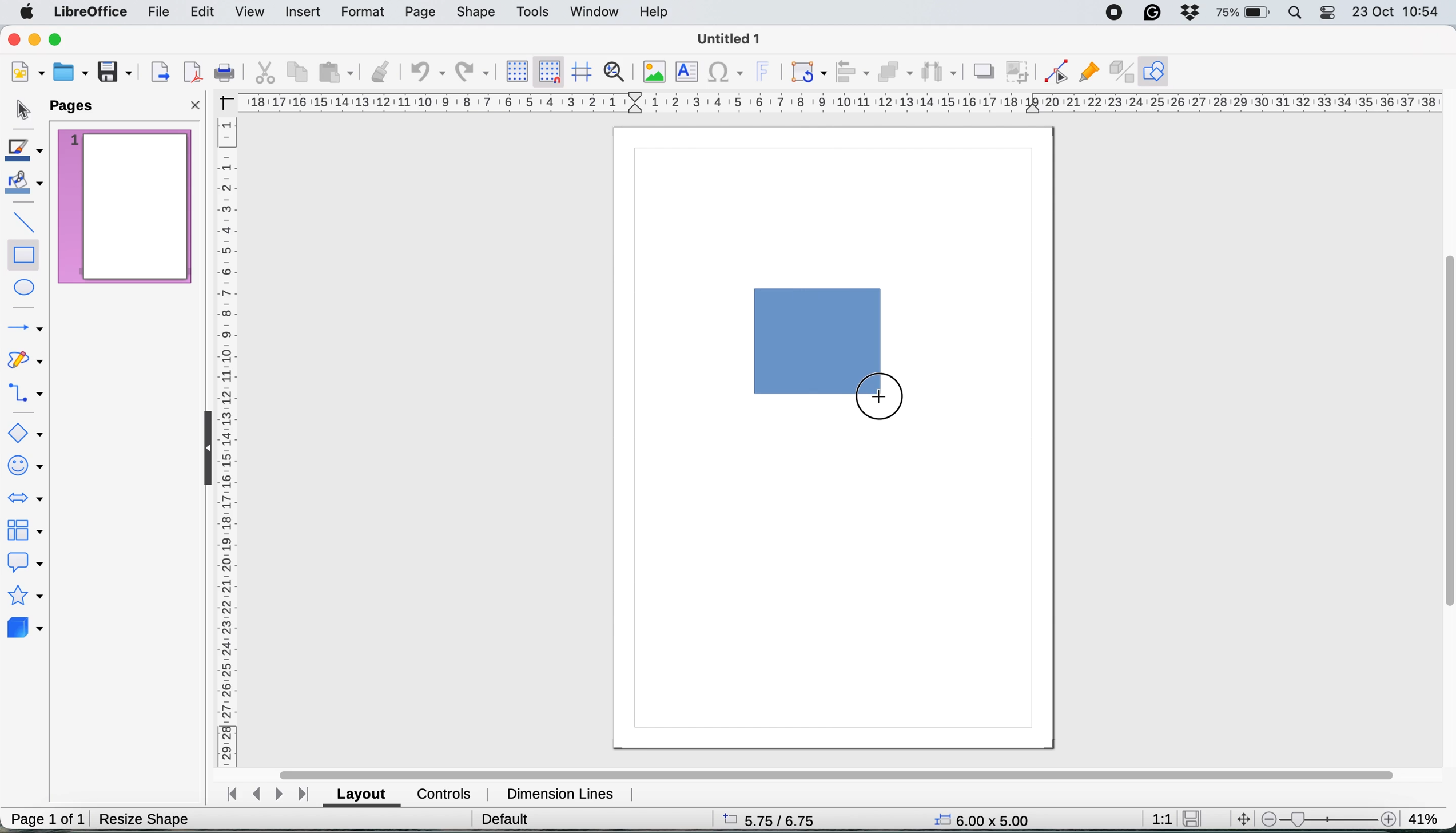 This screenshot has width=1456, height=833. I want to click on cursor, so click(880, 396).